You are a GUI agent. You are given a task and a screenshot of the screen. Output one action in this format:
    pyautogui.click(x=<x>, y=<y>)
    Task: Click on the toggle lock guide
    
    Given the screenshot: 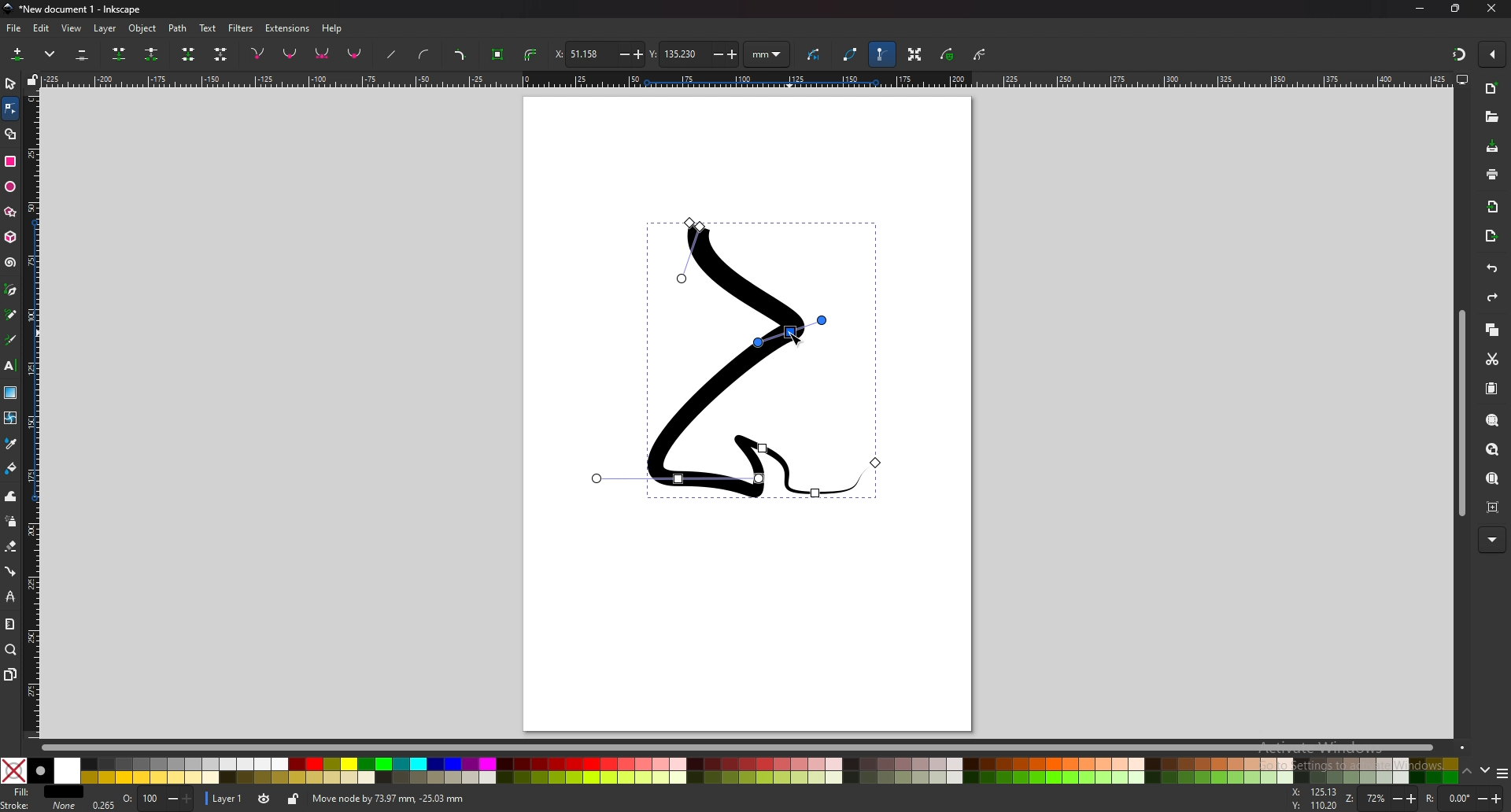 What is the action you would take?
    pyautogui.click(x=33, y=79)
    